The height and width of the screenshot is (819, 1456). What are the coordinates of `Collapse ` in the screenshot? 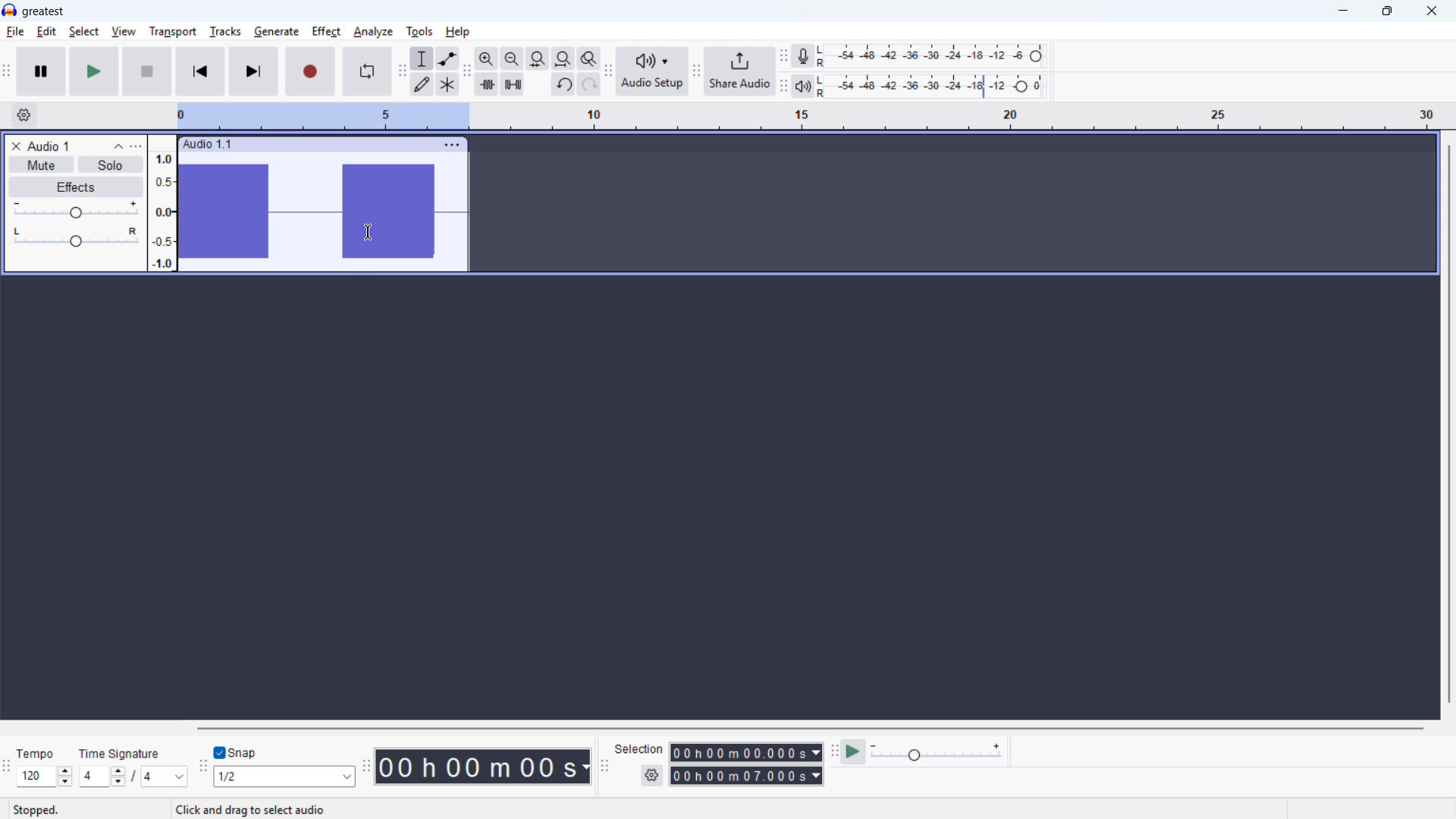 It's located at (118, 146).